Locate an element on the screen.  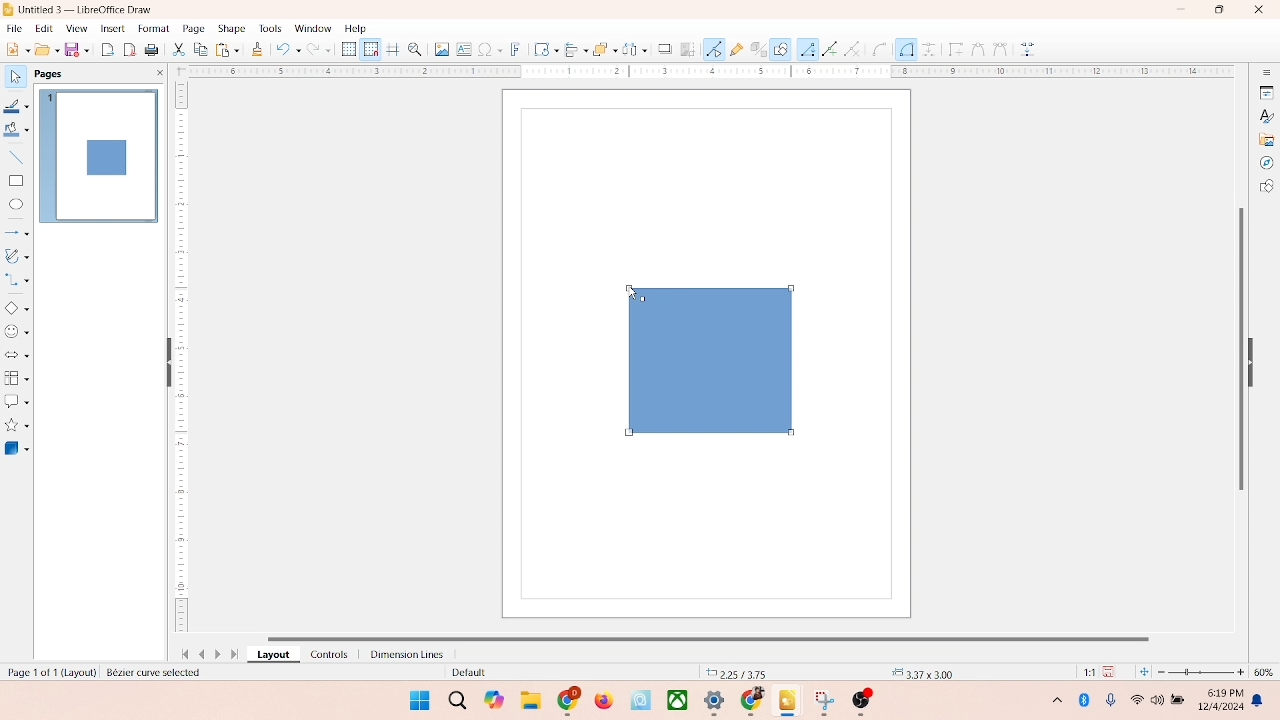
format is located at coordinates (153, 27).